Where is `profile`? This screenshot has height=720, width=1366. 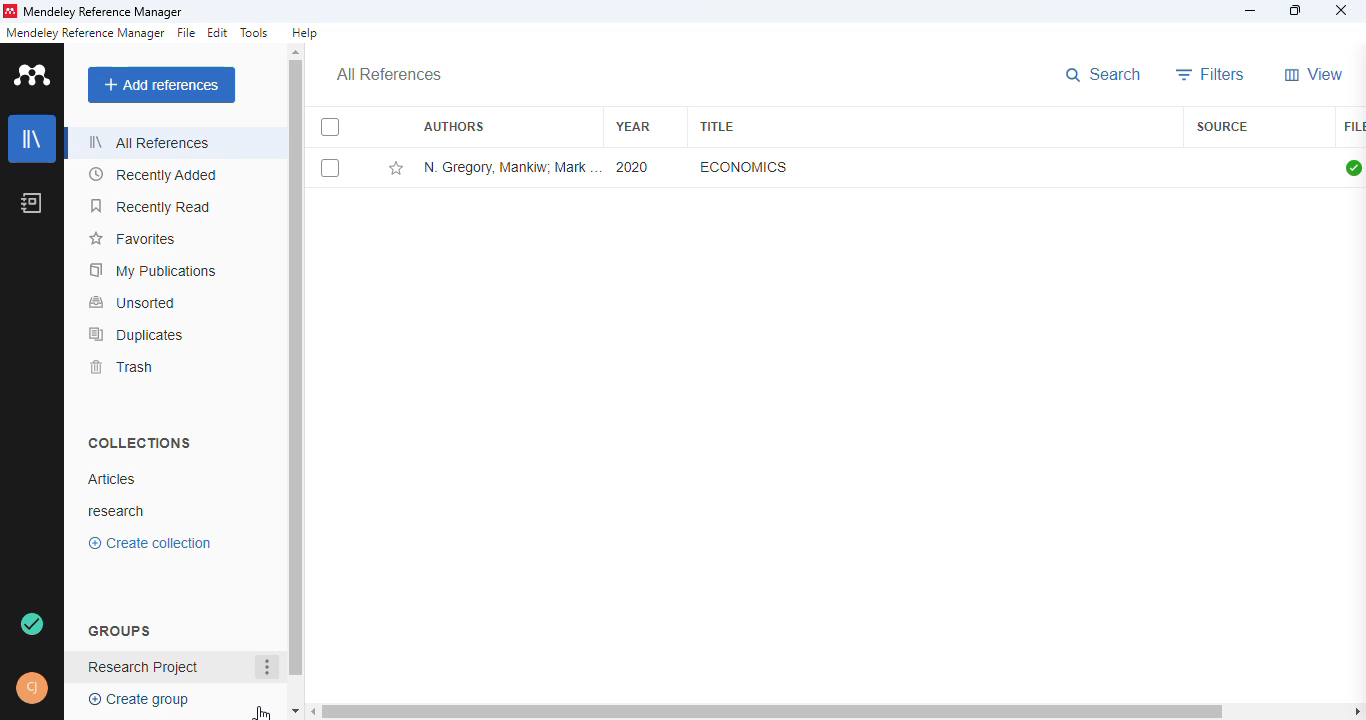
profile is located at coordinates (32, 689).